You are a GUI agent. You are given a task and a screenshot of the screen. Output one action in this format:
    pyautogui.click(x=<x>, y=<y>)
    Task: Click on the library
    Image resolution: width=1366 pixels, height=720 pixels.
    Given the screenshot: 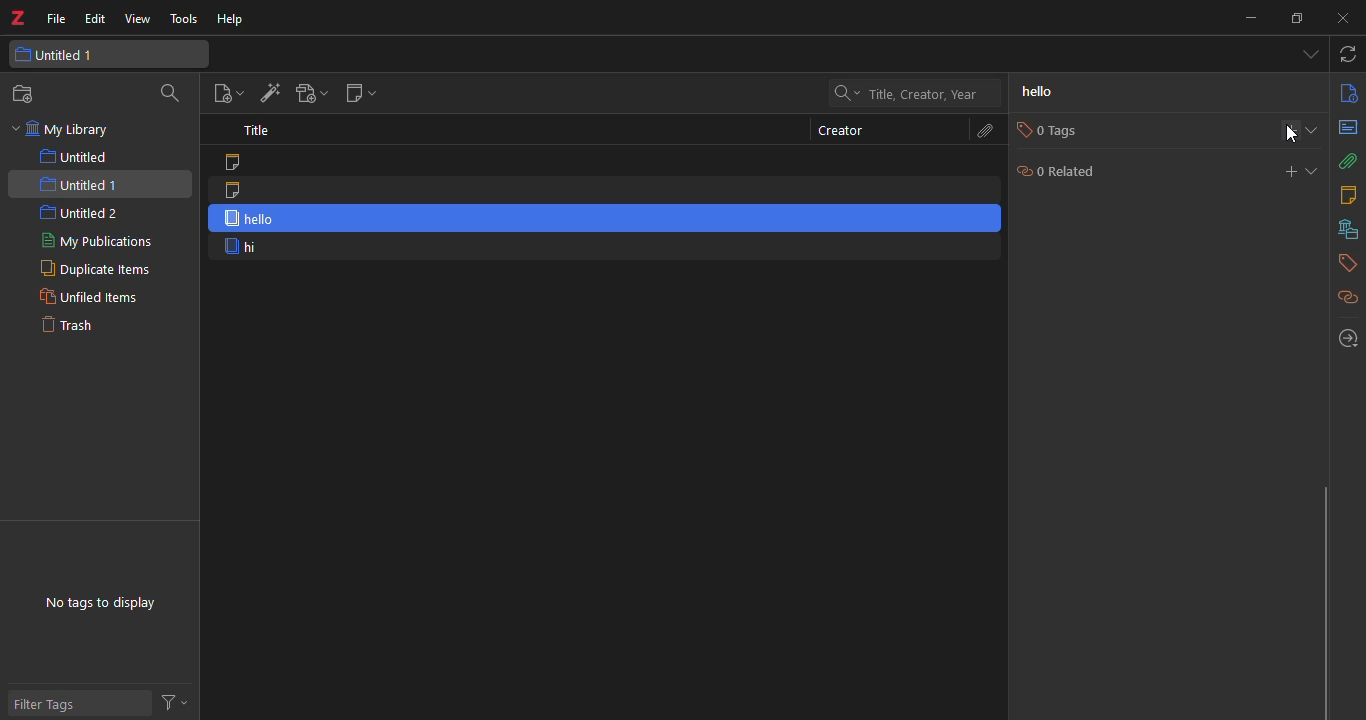 What is the action you would take?
    pyautogui.click(x=1345, y=229)
    